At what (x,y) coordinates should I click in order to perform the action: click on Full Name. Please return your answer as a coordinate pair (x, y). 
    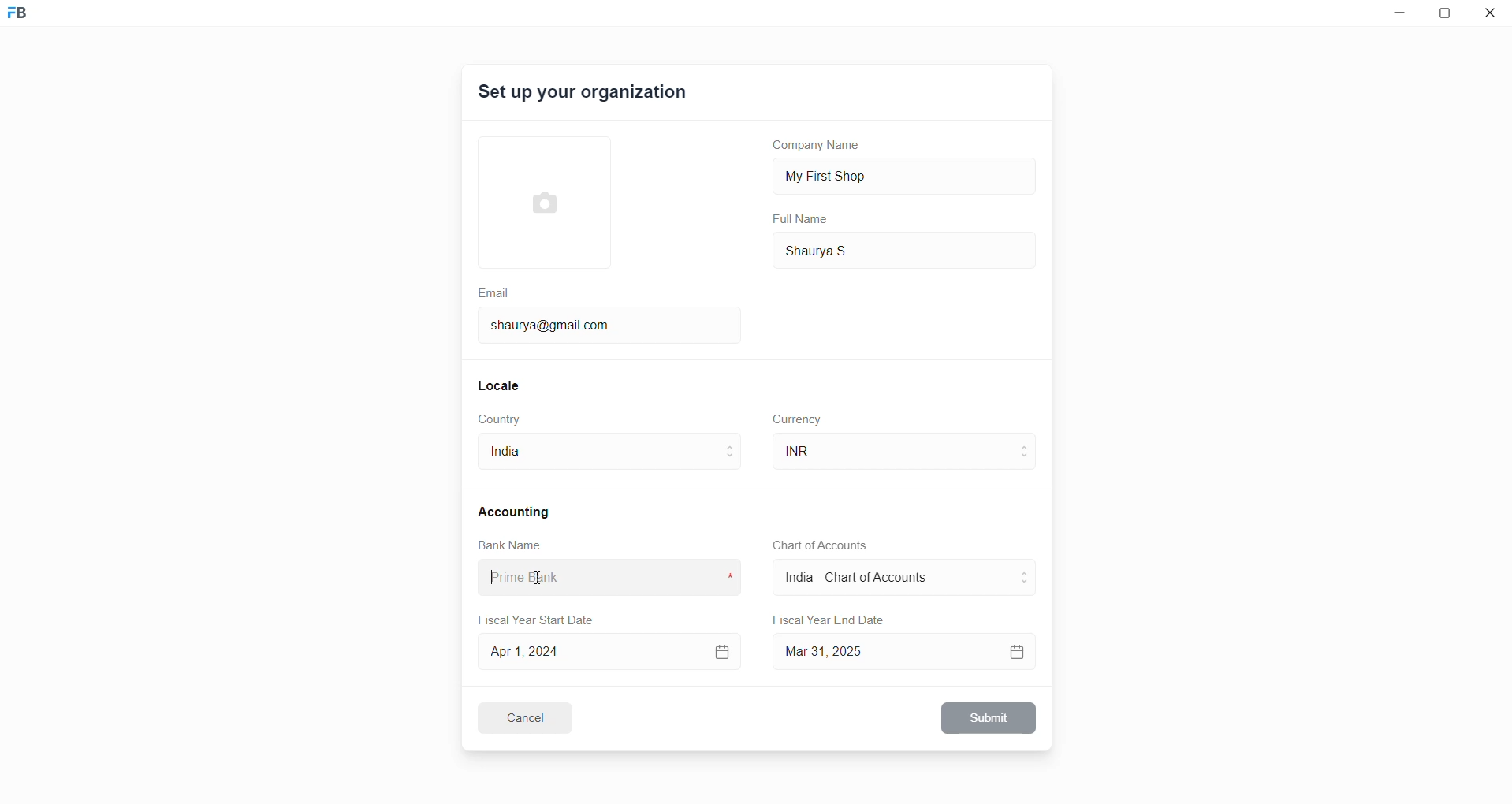
    Looking at the image, I should click on (802, 219).